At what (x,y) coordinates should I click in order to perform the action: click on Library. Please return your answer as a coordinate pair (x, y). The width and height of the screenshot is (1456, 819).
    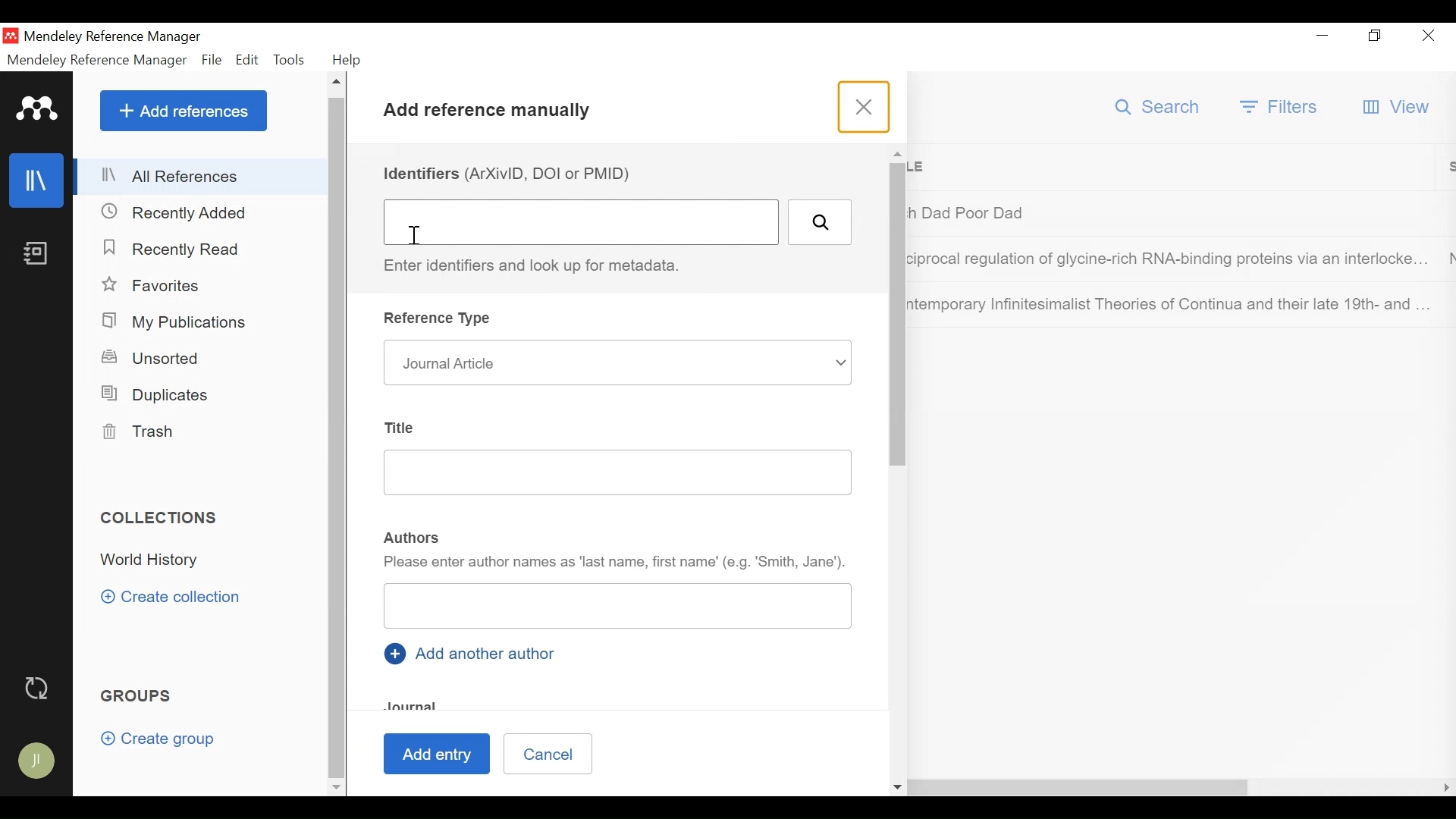
    Looking at the image, I should click on (38, 180).